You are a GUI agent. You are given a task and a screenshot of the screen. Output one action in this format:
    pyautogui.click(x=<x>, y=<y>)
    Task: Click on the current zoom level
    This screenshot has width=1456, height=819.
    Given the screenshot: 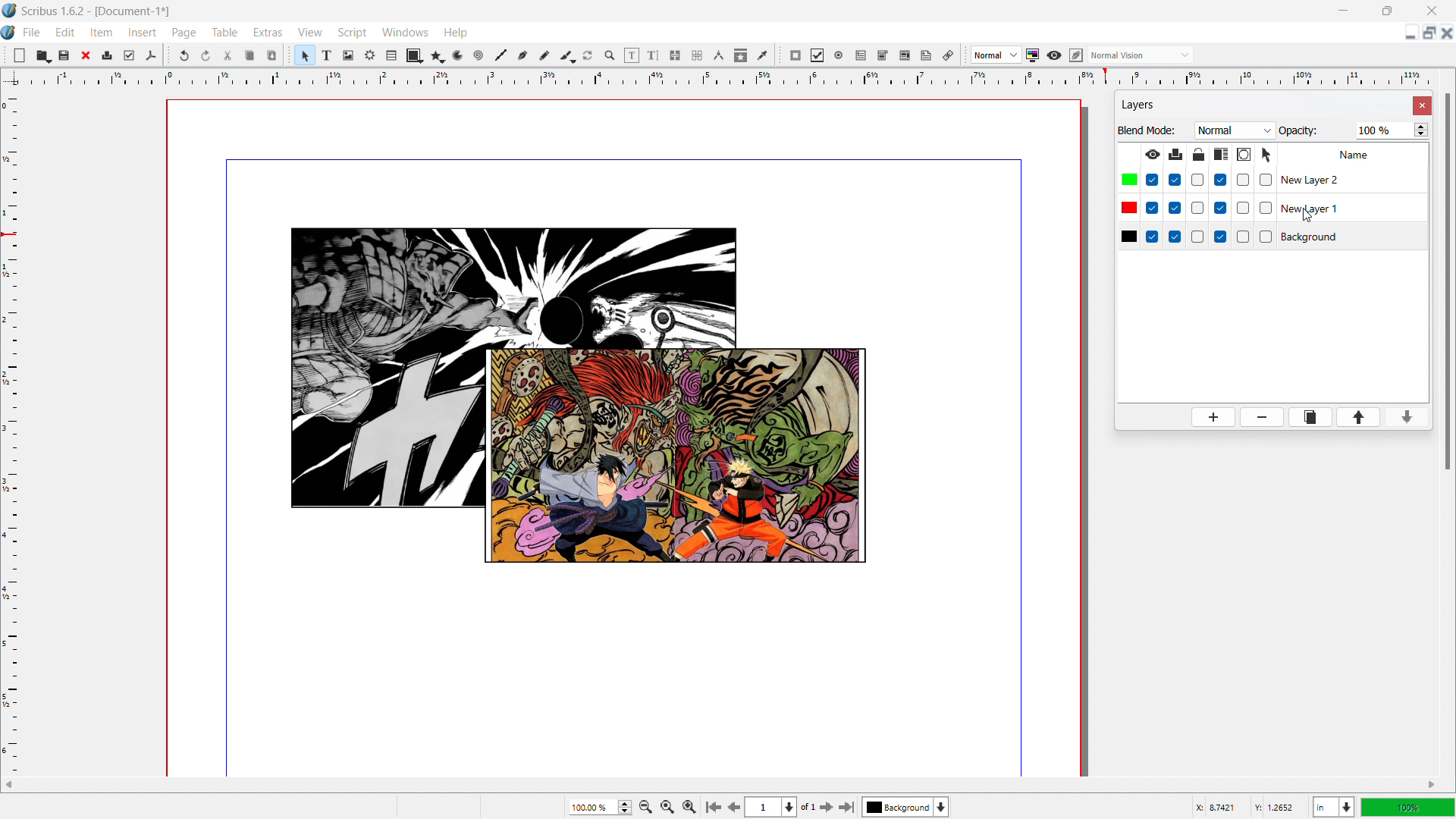 What is the action you would take?
    pyautogui.click(x=599, y=807)
    